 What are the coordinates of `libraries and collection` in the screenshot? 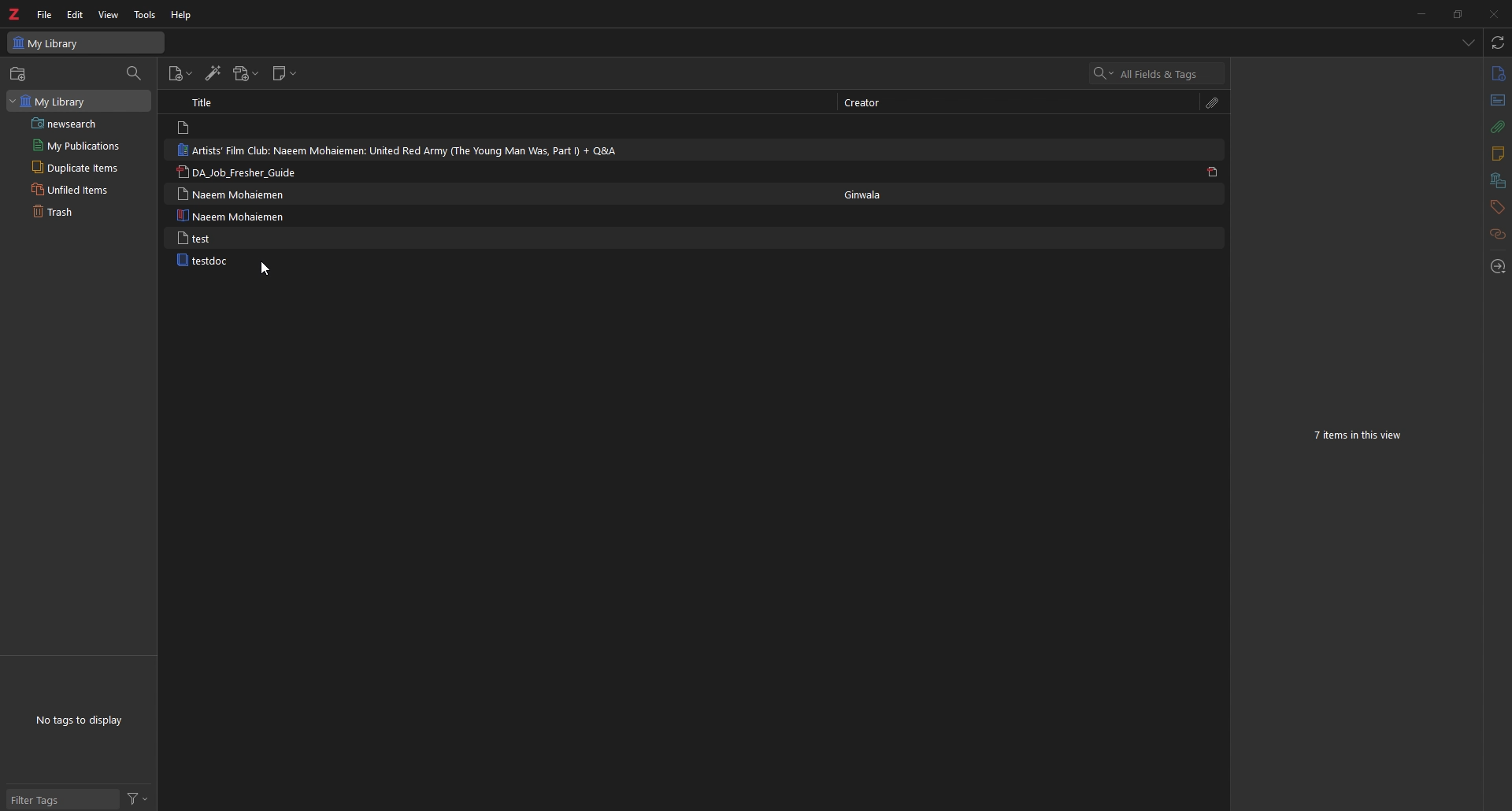 It's located at (1497, 180).